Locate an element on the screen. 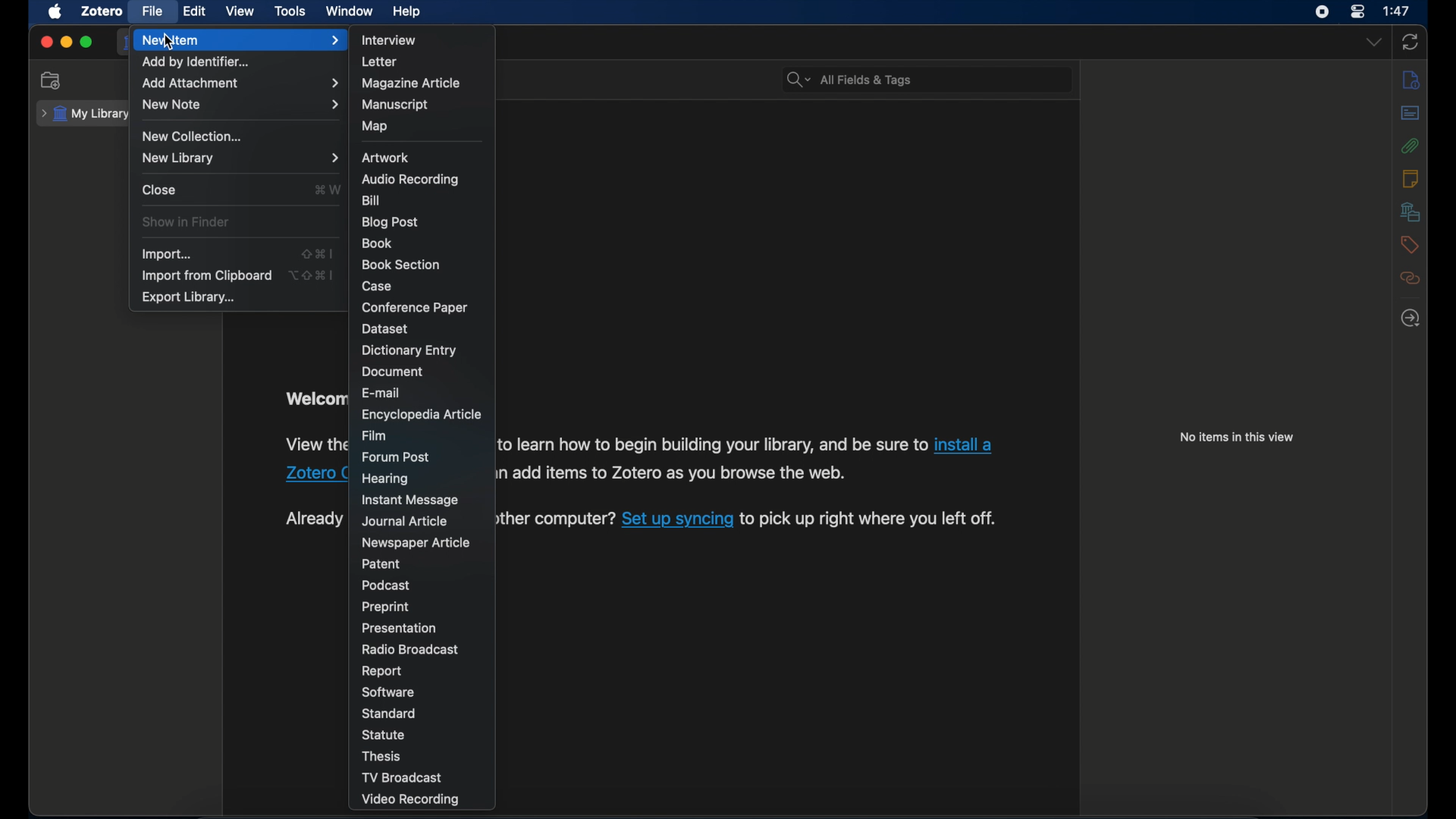  audio recording is located at coordinates (410, 180).